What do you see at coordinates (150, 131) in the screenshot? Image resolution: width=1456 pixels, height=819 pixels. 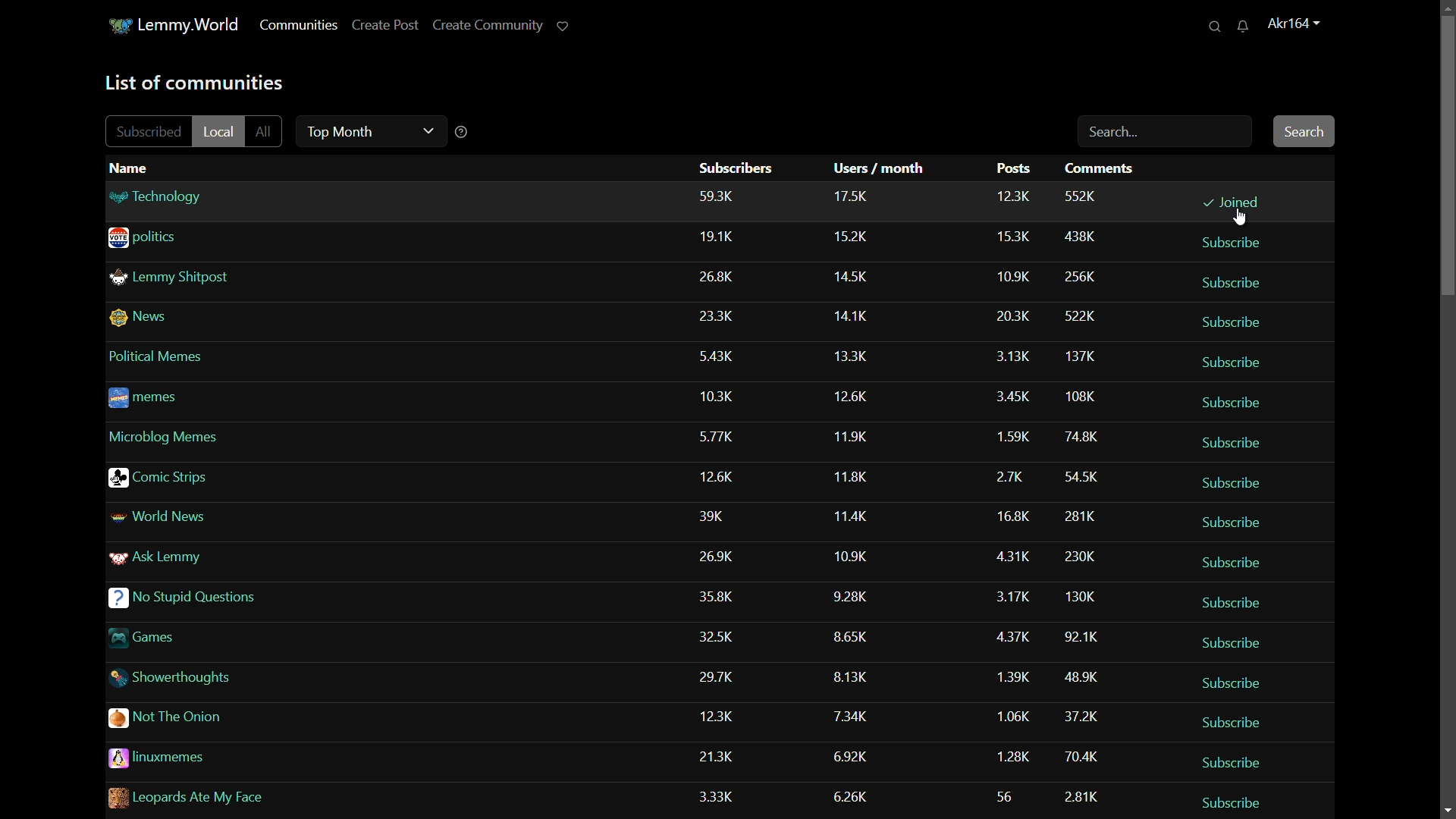 I see `subscribed` at bounding box center [150, 131].